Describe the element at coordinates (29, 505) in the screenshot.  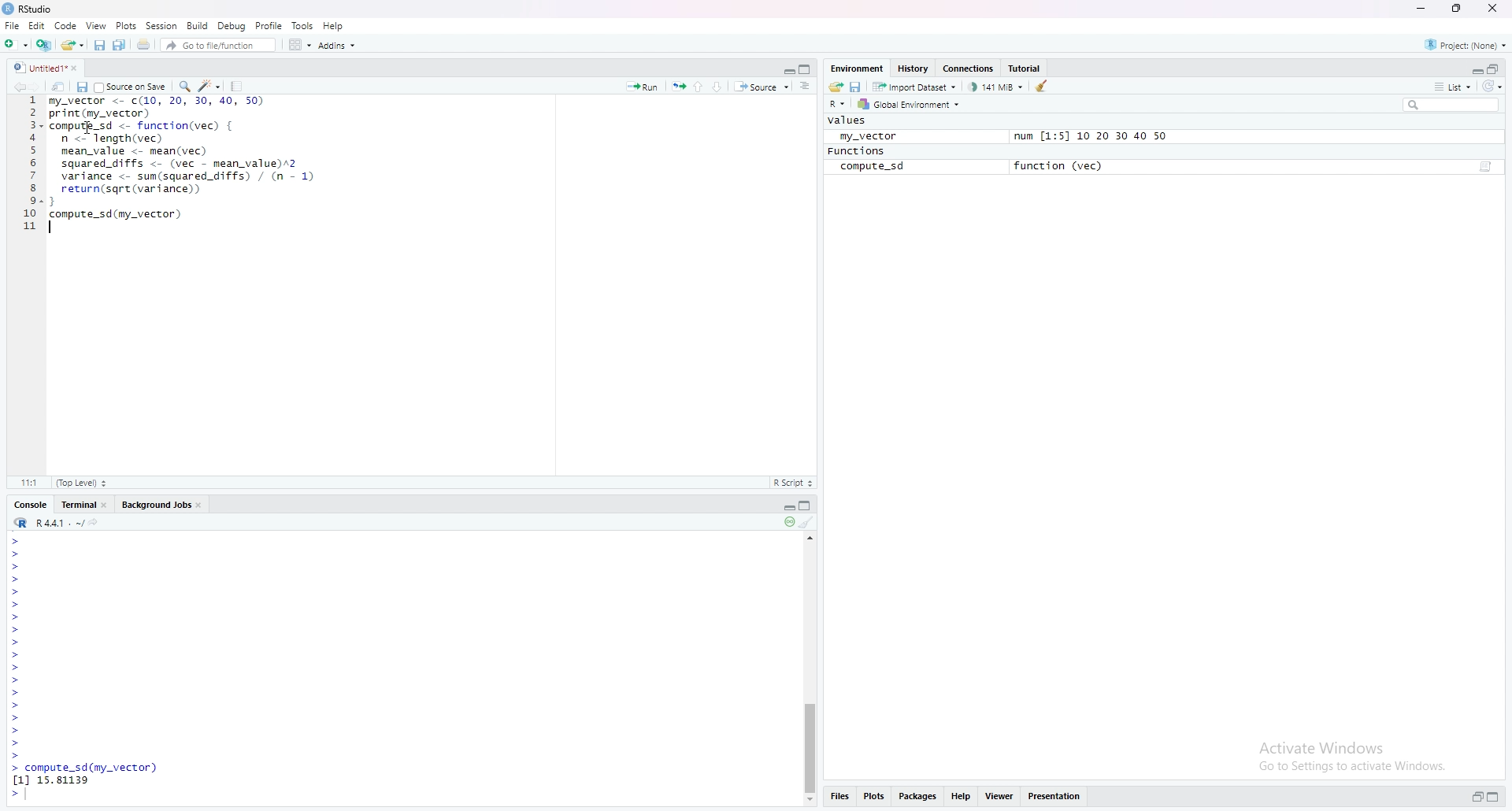
I see `Console` at that location.